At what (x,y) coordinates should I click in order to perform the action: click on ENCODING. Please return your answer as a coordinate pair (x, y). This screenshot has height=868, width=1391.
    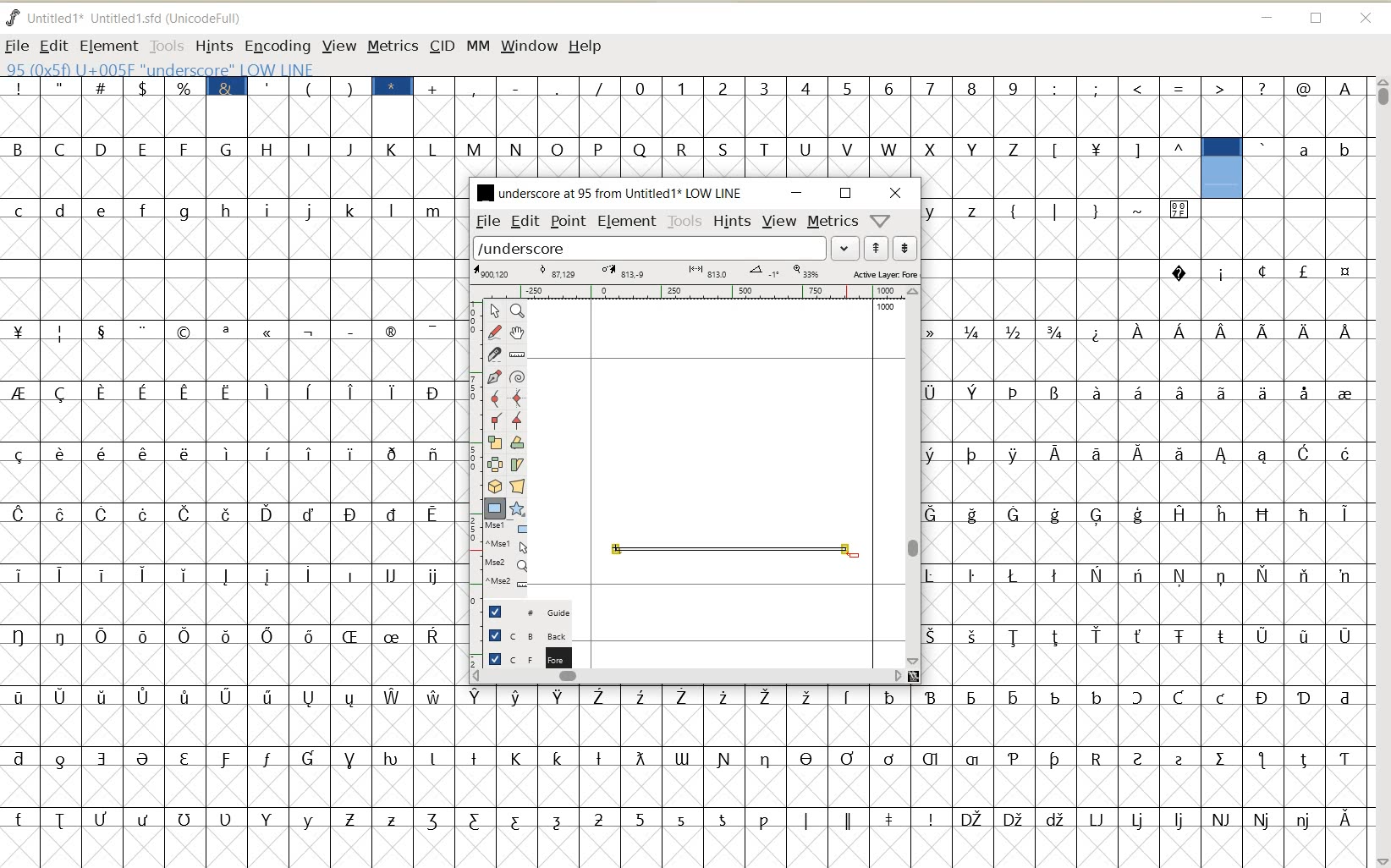
    Looking at the image, I should click on (277, 47).